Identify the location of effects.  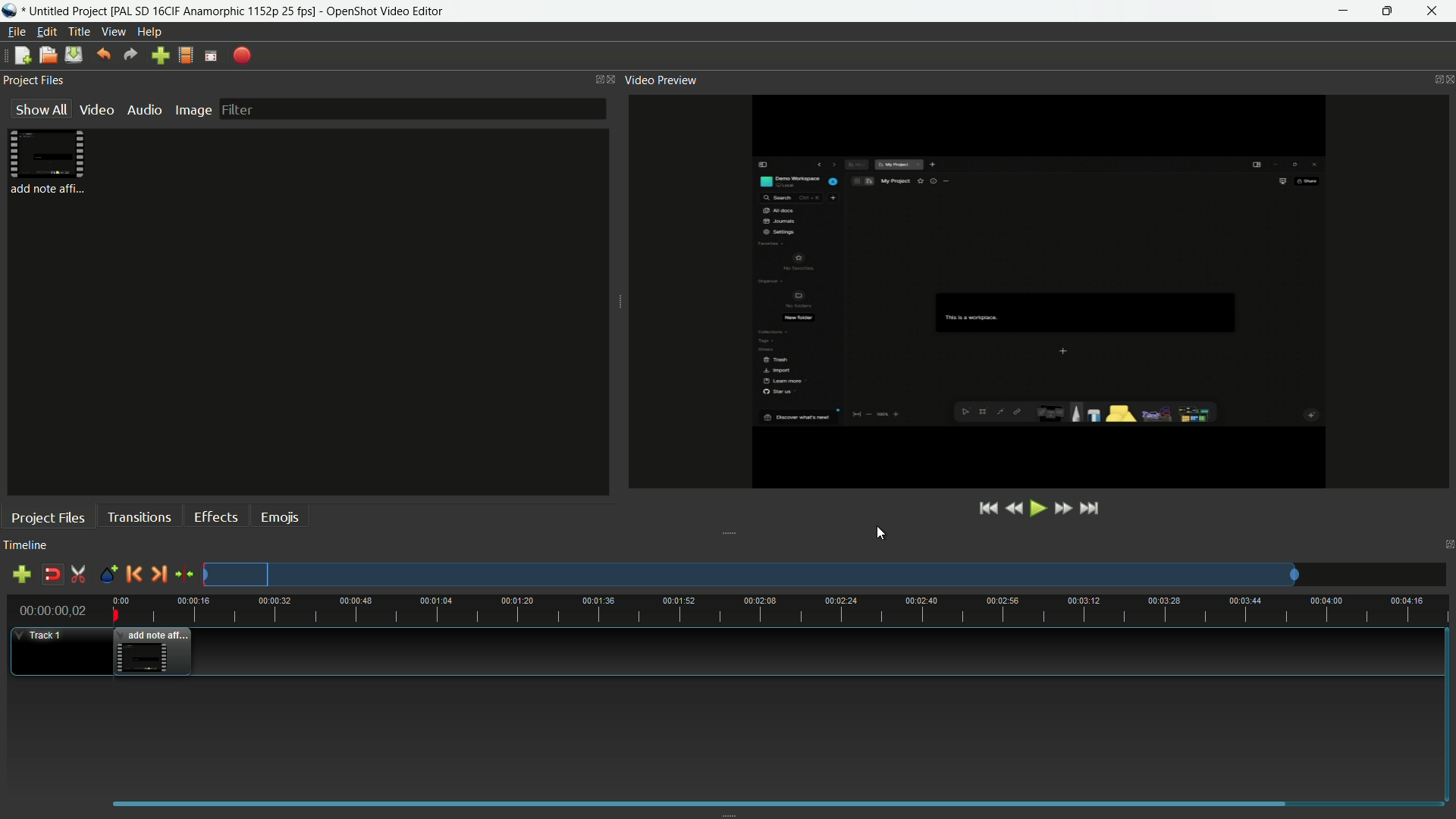
(215, 516).